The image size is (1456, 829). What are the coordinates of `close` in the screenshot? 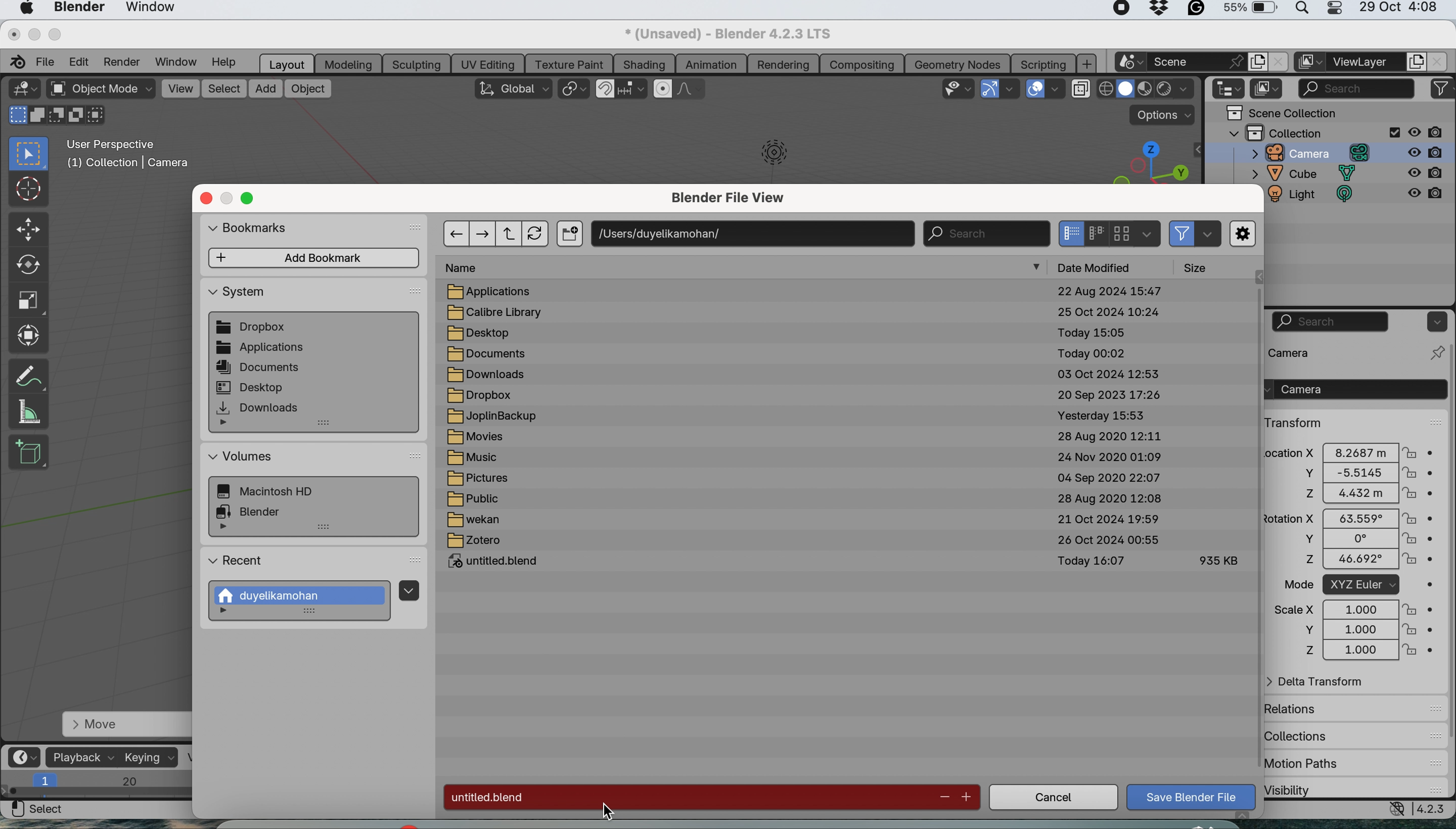 It's located at (1439, 61).